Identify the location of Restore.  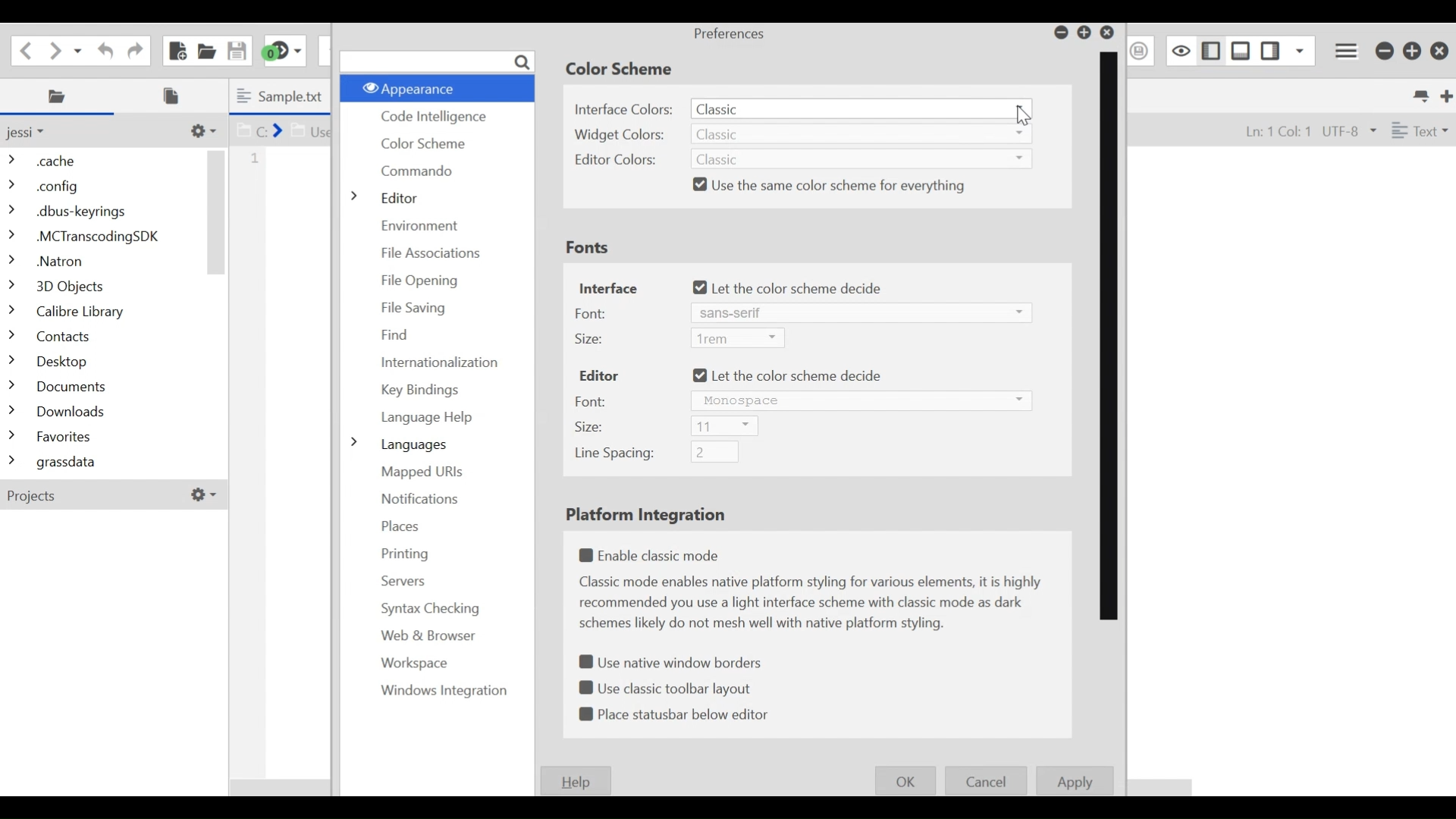
(1413, 51).